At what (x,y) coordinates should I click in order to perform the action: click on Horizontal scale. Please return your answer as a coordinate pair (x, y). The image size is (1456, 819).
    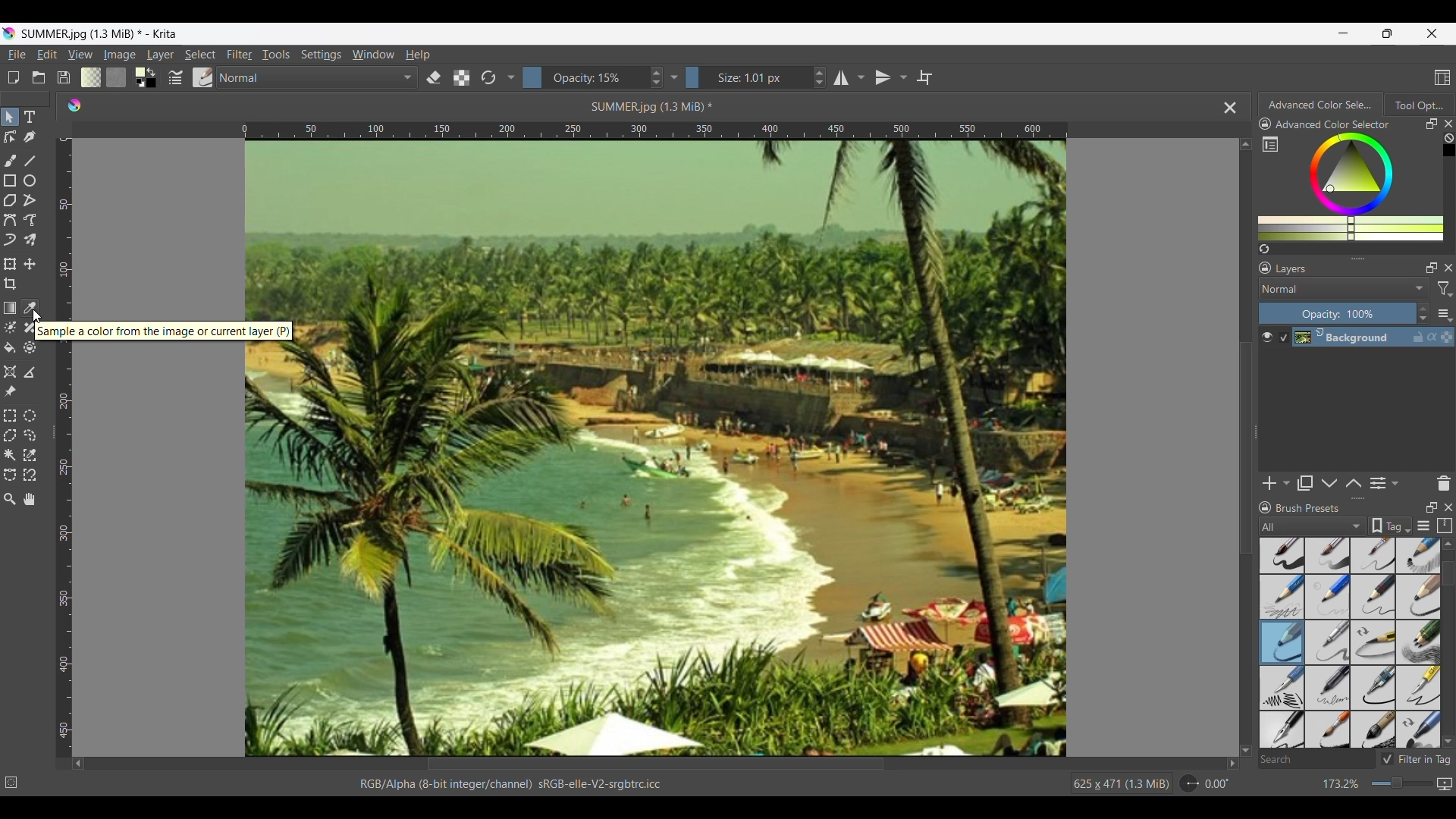
    Looking at the image, I should click on (654, 130).